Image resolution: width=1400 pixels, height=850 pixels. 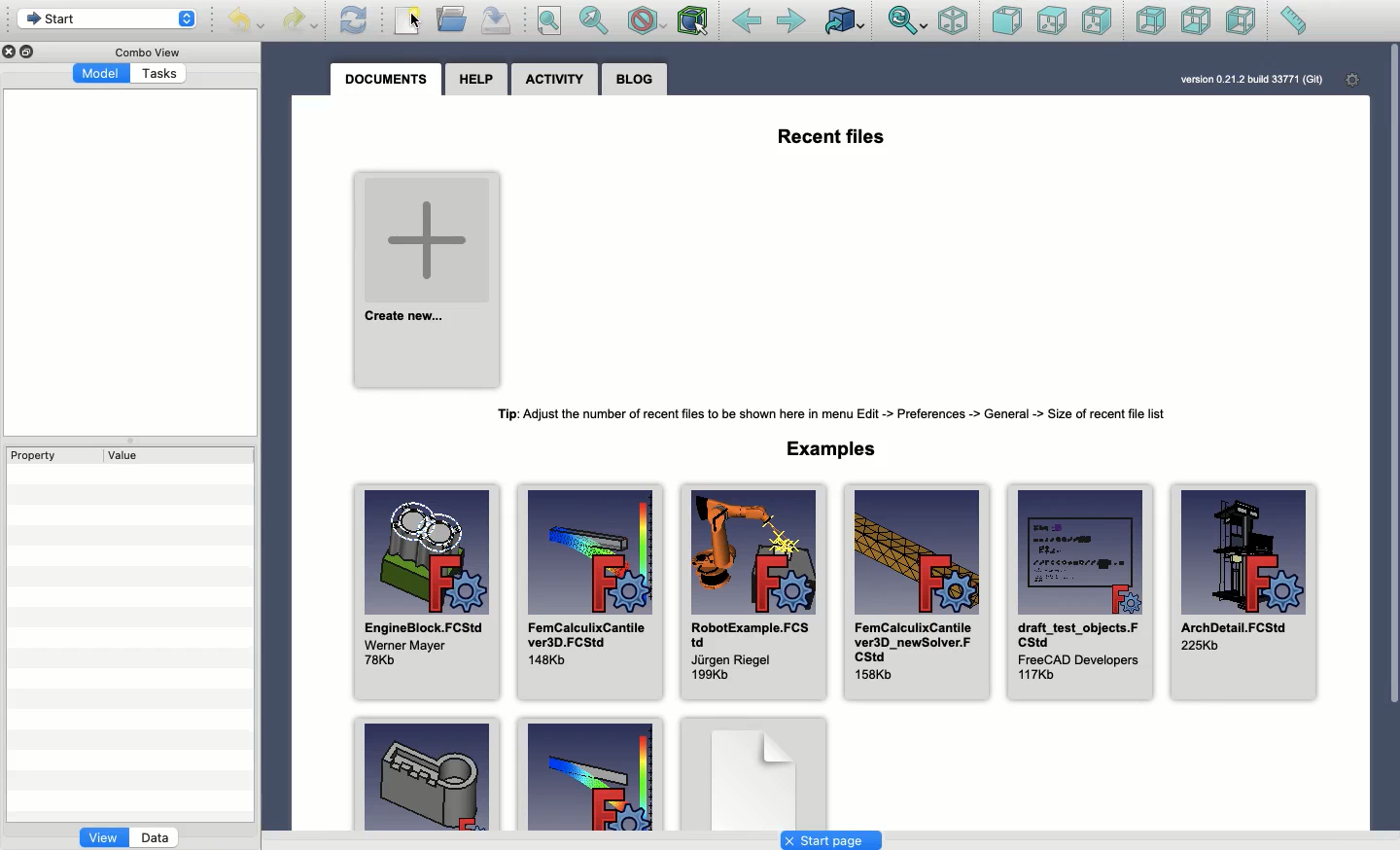 What do you see at coordinates (353, 20) in the screenshot?
I see `Refresh` at bounding box center [353, 20].